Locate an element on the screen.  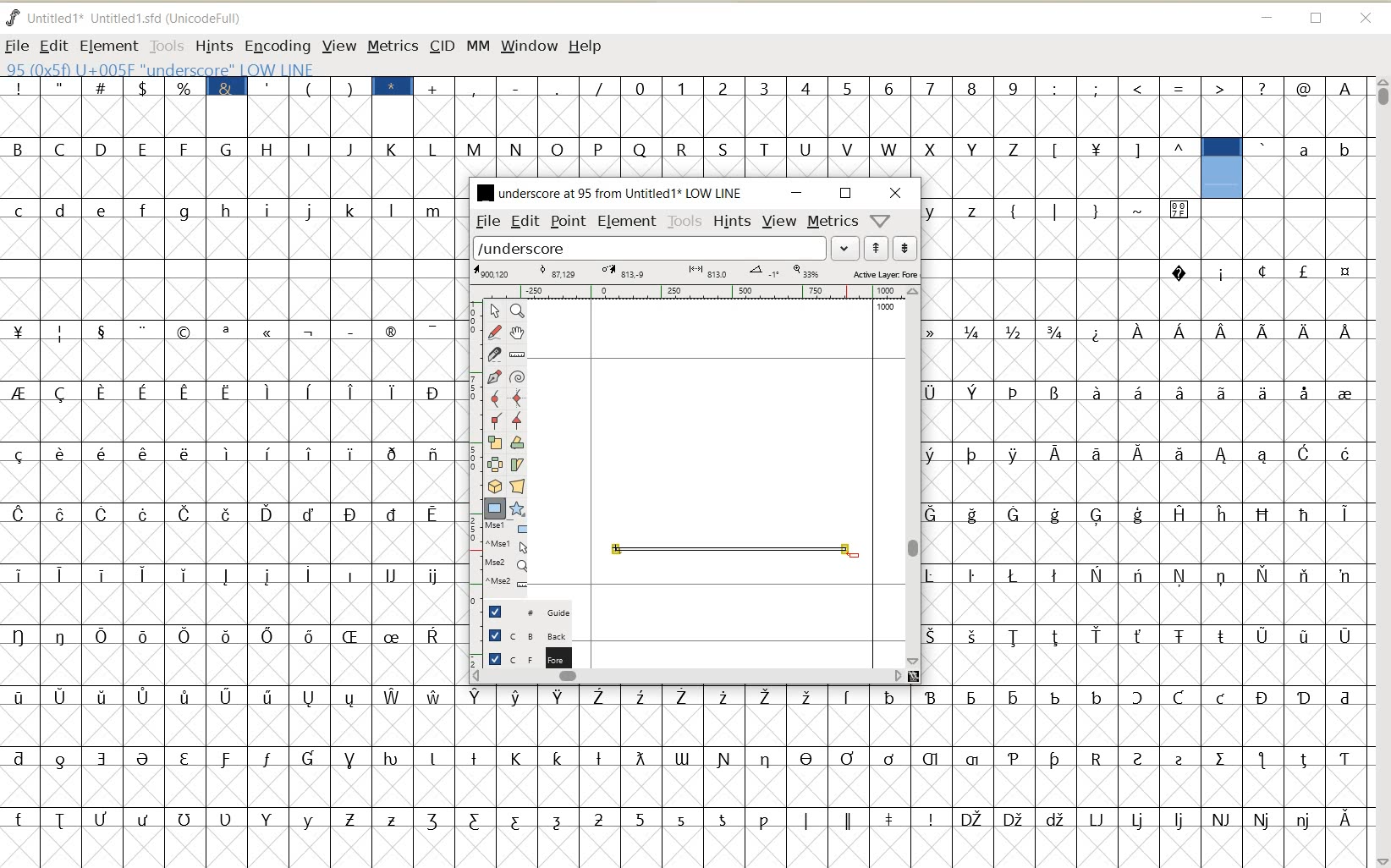
add a curve point is located at coordinates (494, 398).